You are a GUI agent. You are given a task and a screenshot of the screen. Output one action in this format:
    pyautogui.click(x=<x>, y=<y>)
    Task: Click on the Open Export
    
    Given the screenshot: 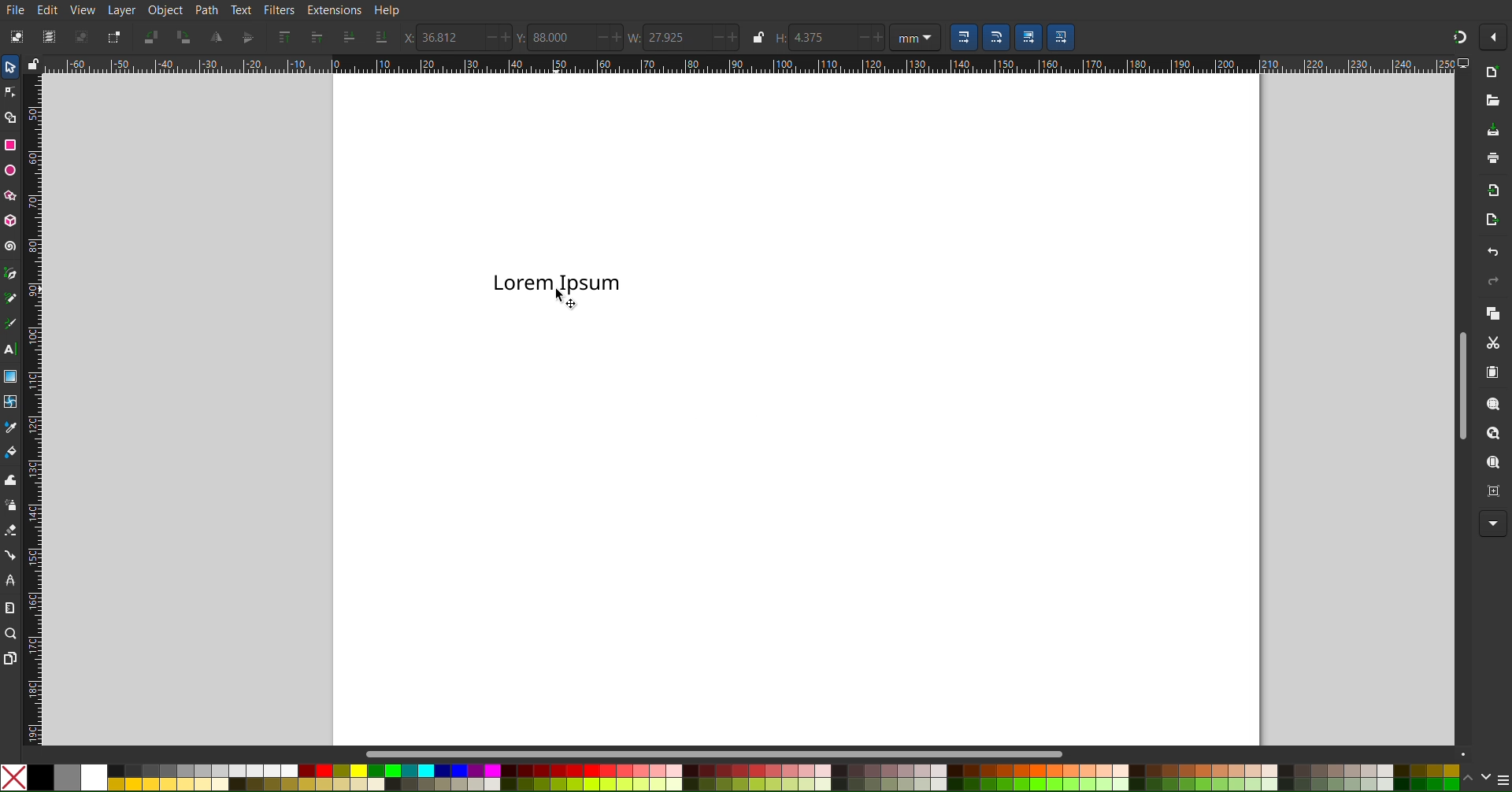 What is the action you would take?
    pyautogui.click(x=1489, y=220)
    